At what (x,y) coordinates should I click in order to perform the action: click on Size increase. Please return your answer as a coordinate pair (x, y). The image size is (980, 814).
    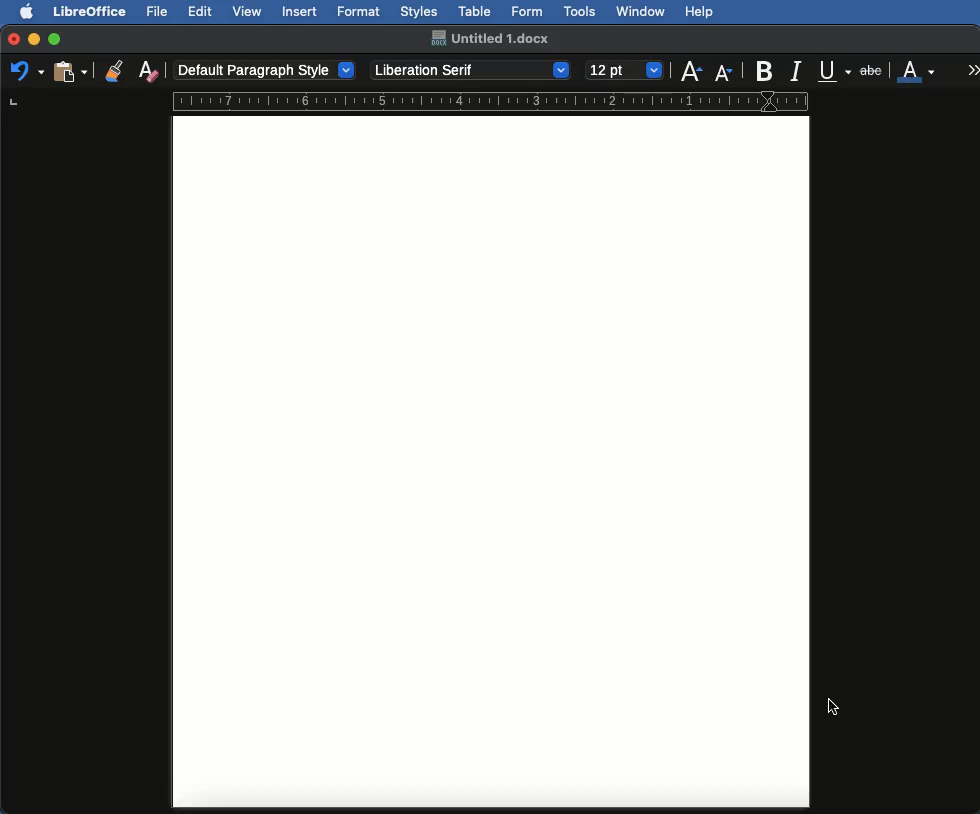
    Looking at the image, I should click on (690, 69).